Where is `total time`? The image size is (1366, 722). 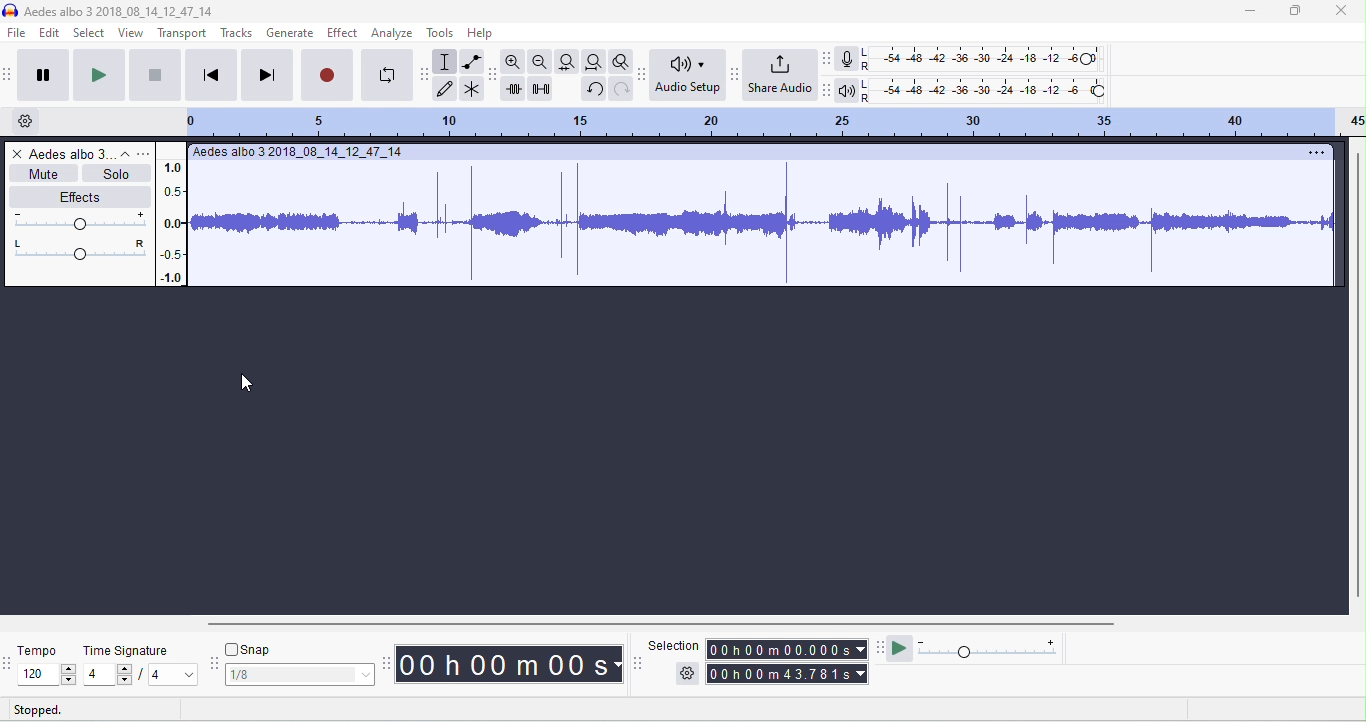
total time is located at coordinates (785, 674).